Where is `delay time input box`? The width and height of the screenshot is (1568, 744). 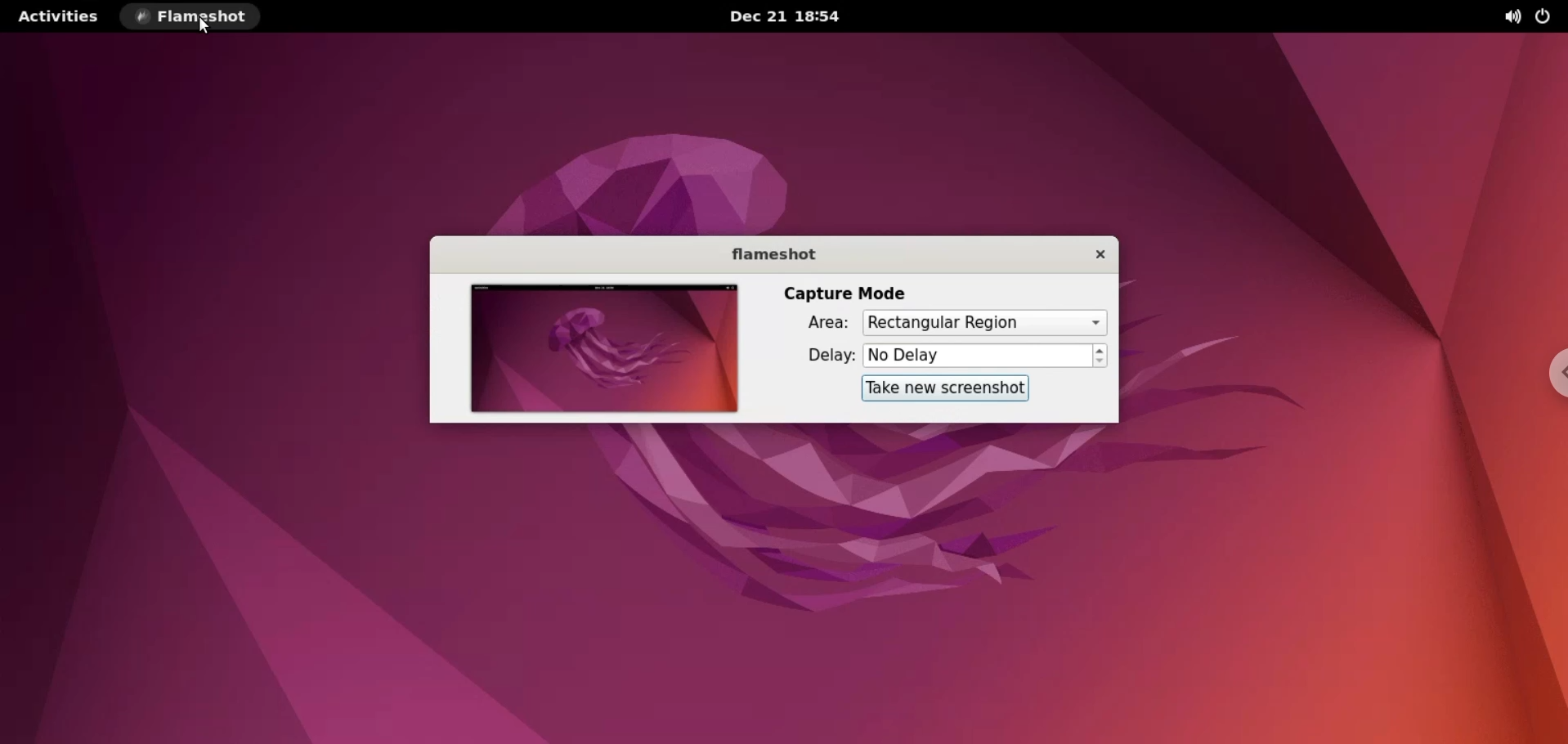 delay time input box is located at coordinates (979, 356).